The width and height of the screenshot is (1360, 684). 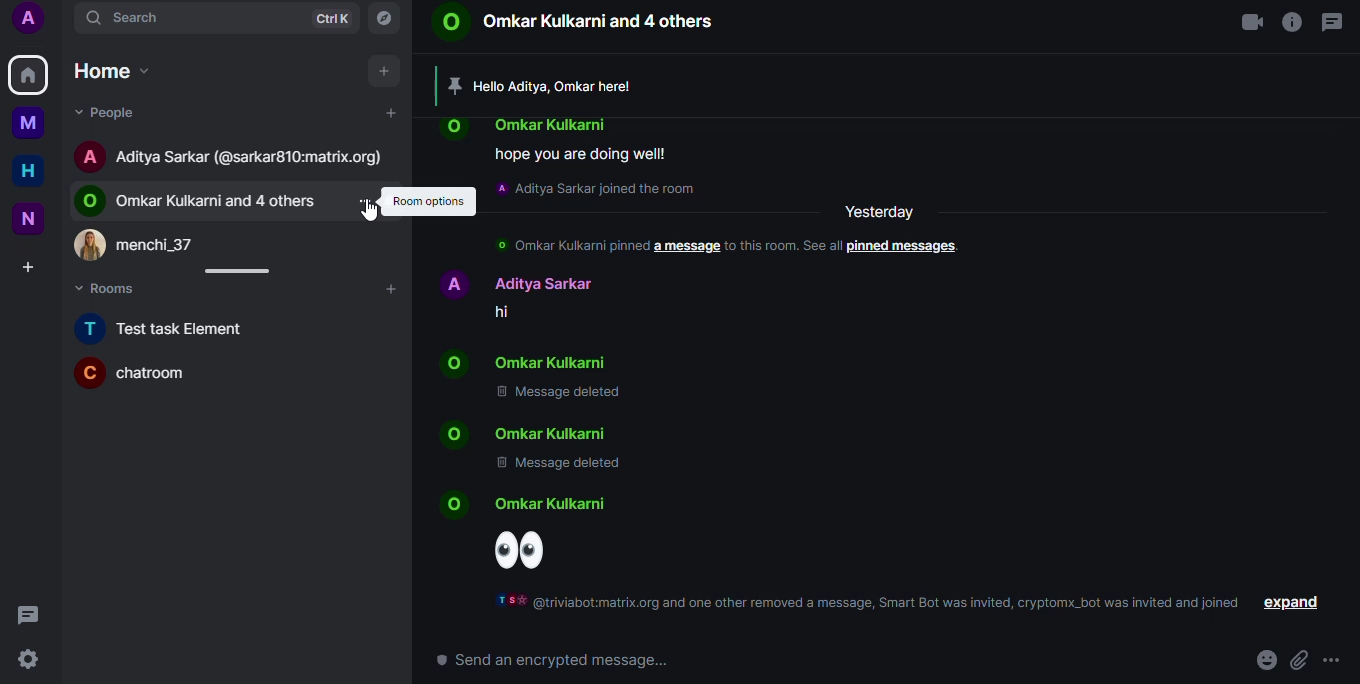 I want to click on info, so click(x=871, y=605).